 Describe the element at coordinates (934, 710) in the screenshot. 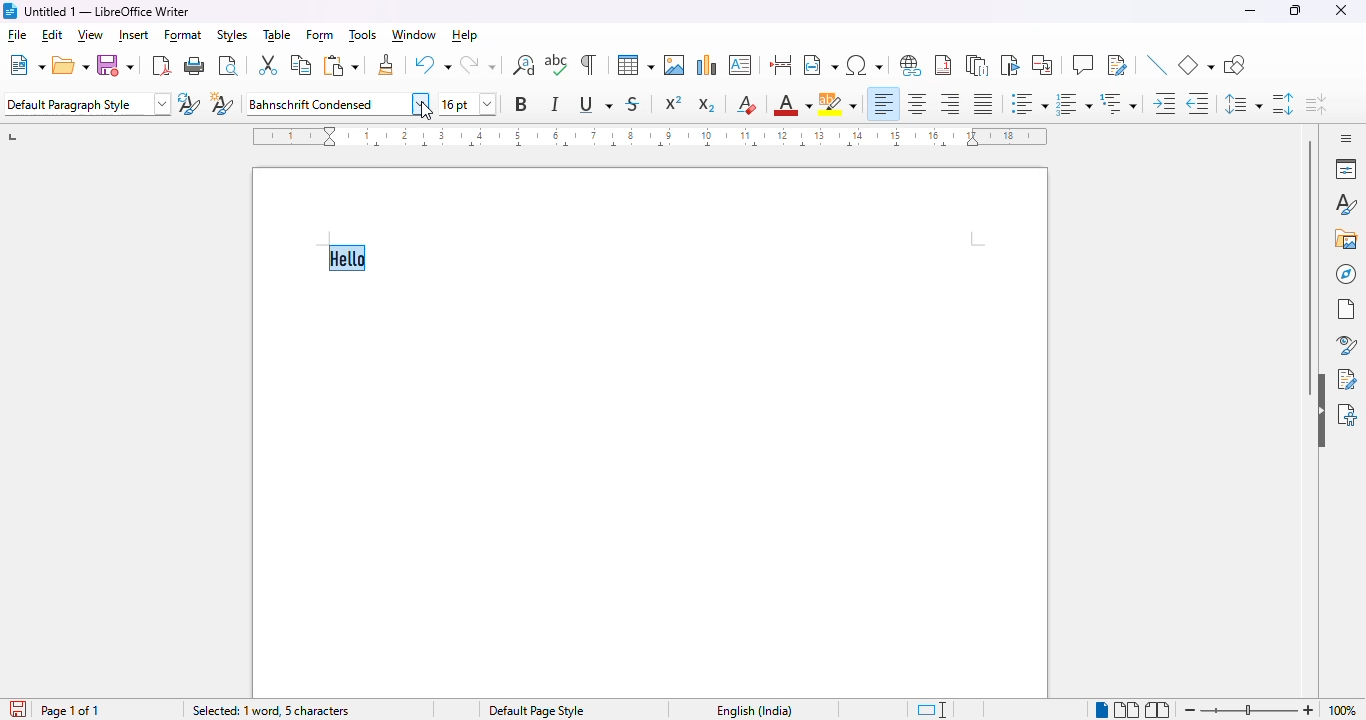

I see `standard language` at that location.